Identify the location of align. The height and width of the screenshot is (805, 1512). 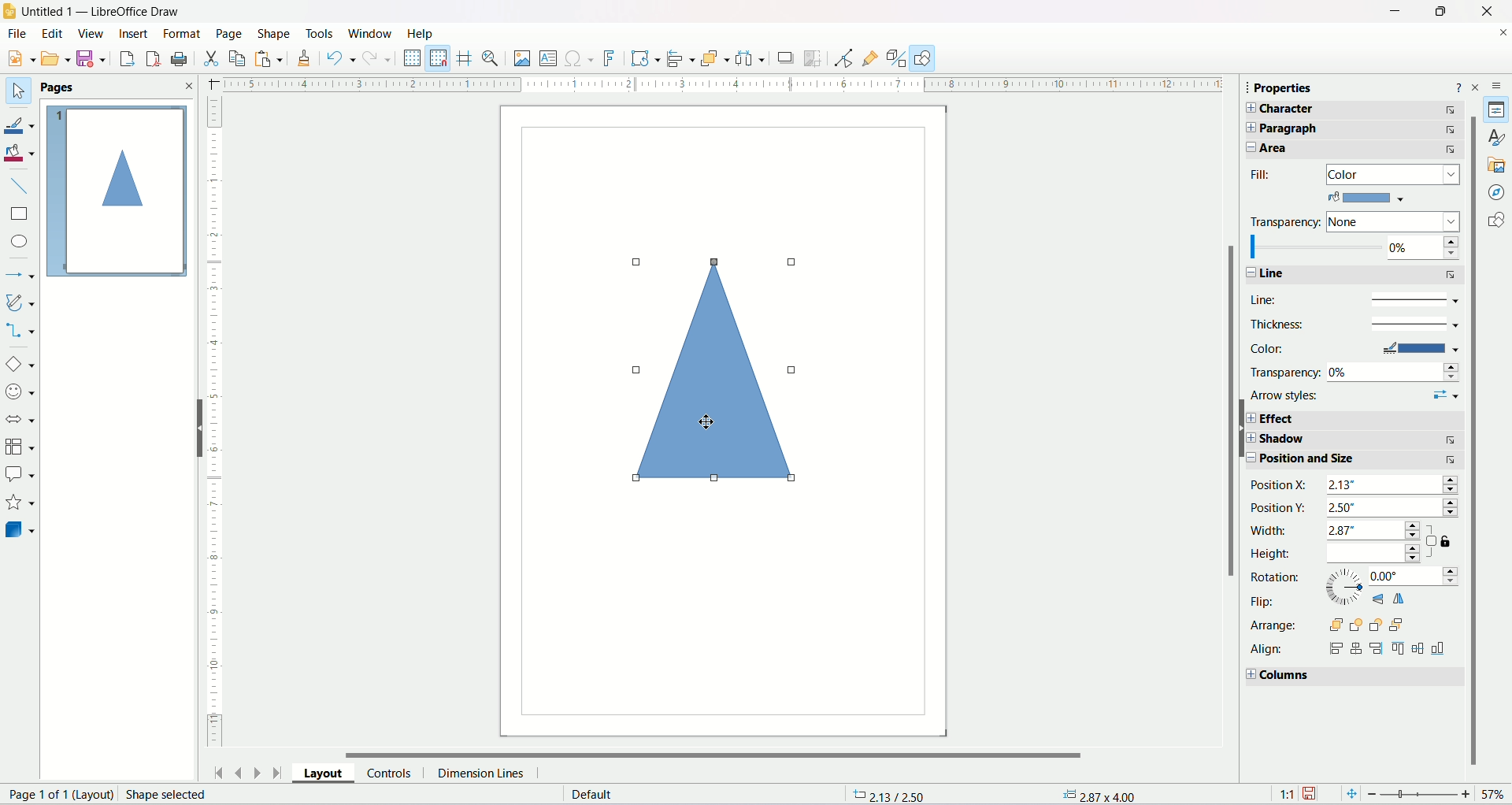
(1349, 649).